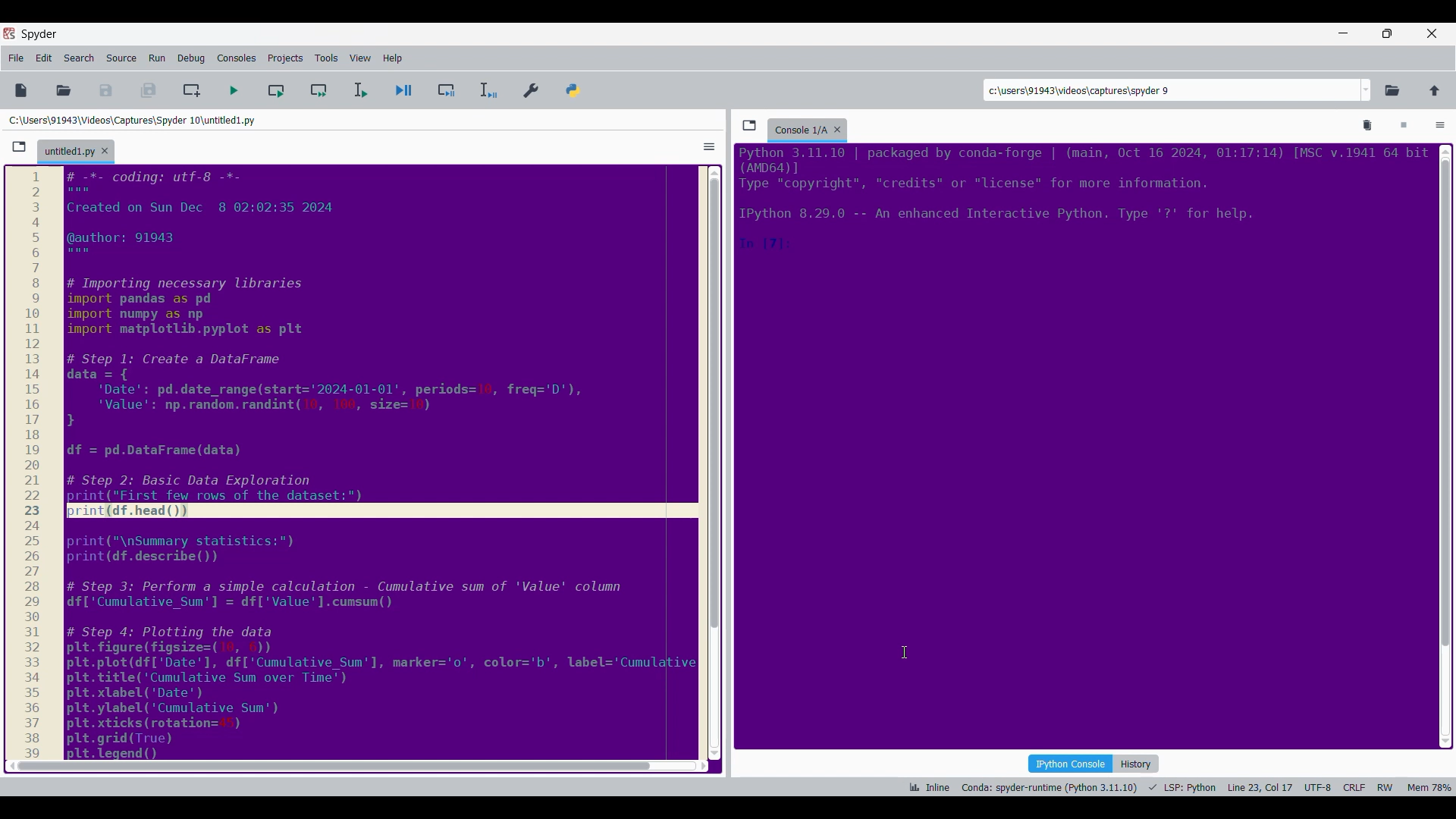  Describe the element at coordinates (532, 87) in the screenshot. I see `Preferences` at that location.